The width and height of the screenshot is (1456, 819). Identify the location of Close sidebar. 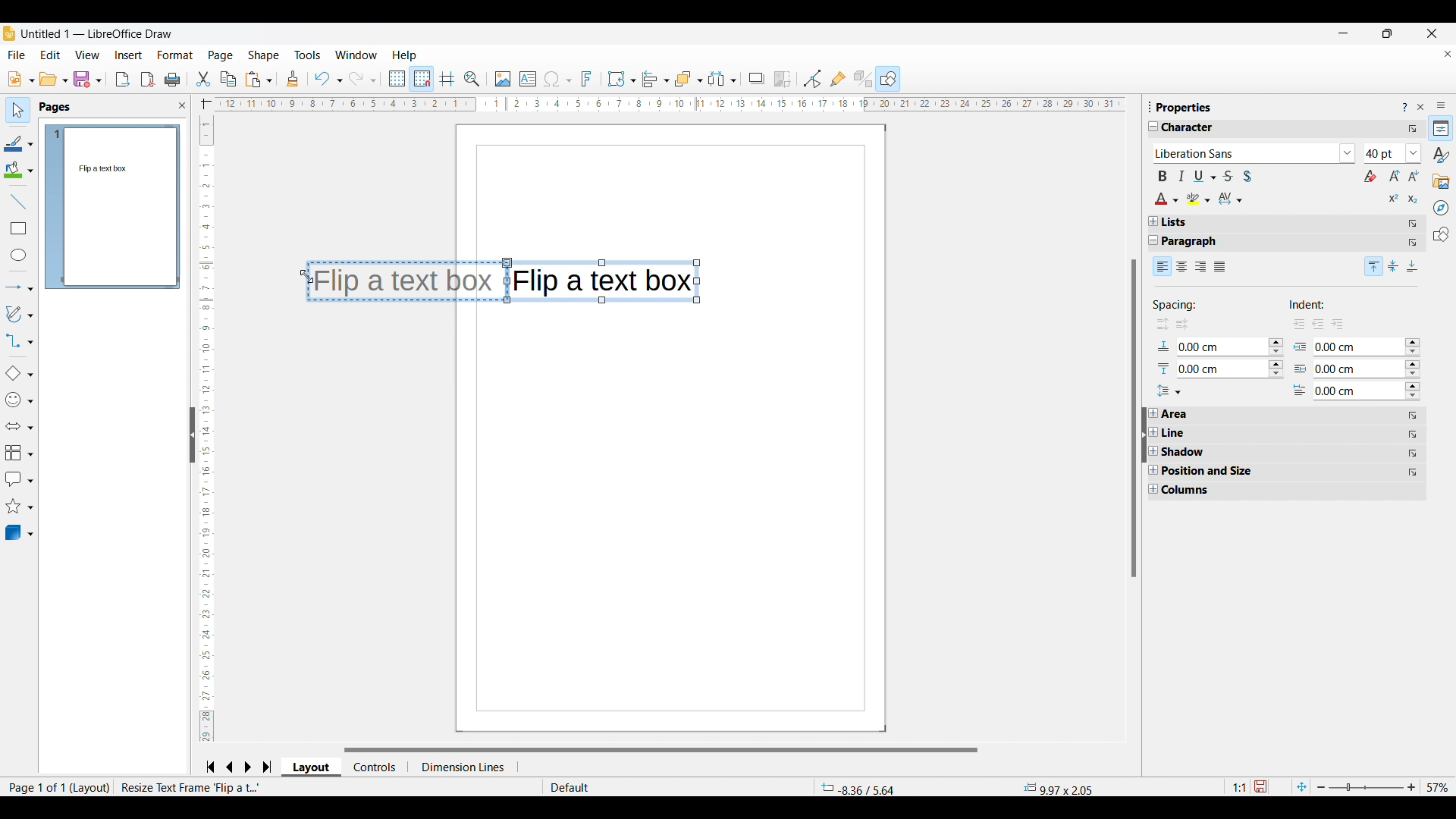
(1421, 107).